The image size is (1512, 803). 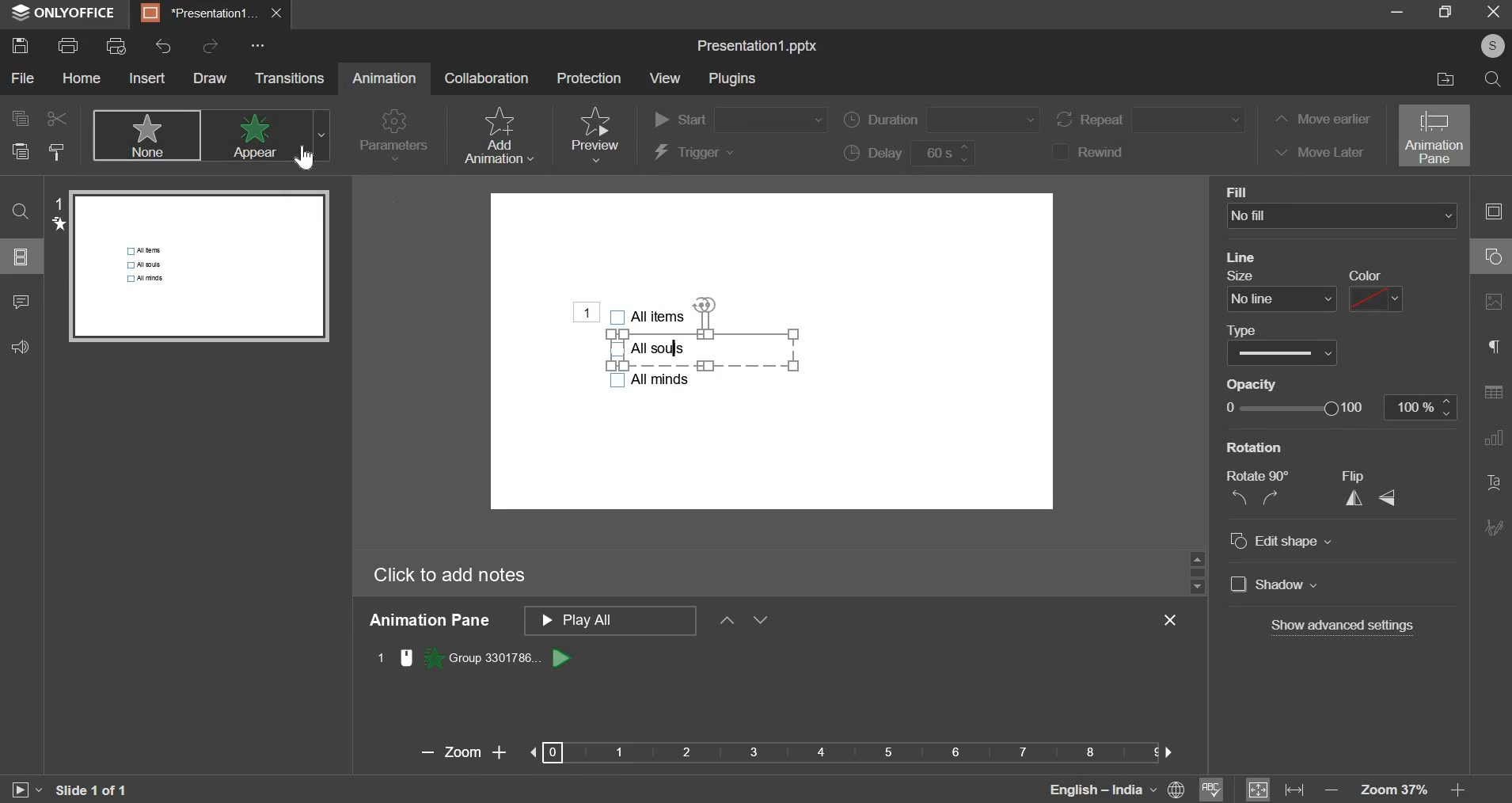 I want to click on zoom, so click(x=785, y=752).